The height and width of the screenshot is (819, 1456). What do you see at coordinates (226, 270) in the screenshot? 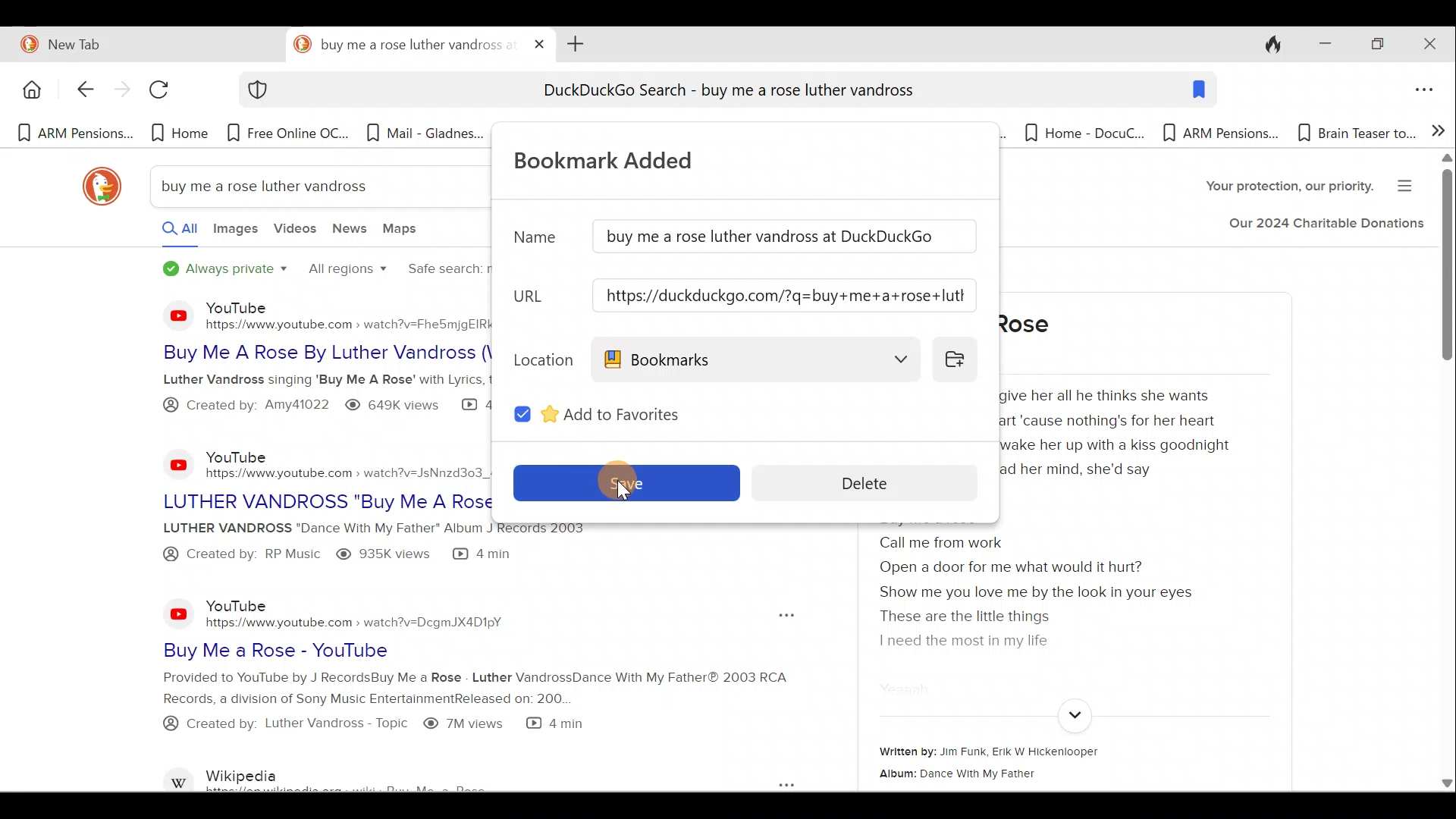
I see `Always private` at bounding box center [226, 270].